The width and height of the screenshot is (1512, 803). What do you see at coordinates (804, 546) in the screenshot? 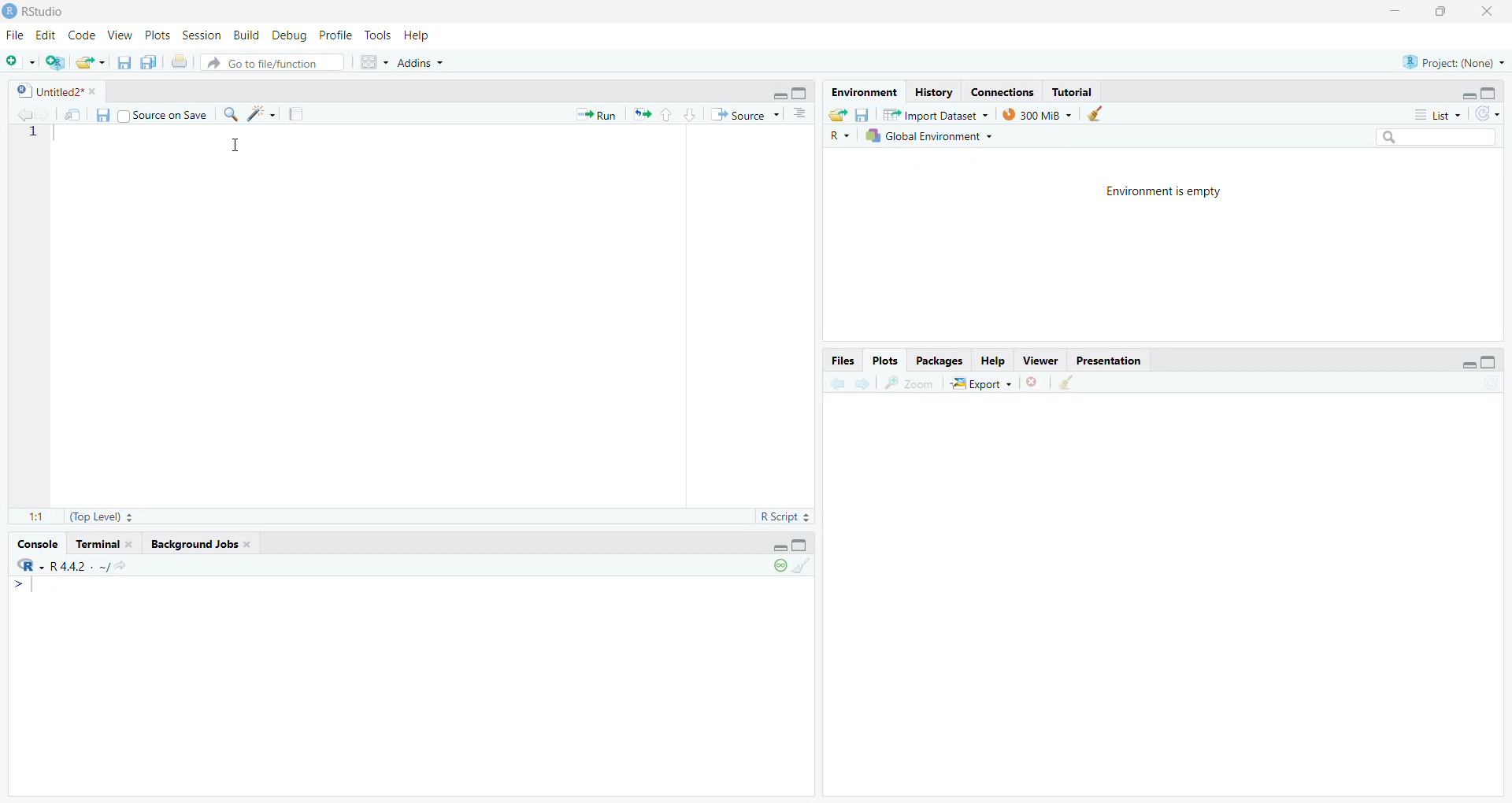
I see `hide console` at bounding box center [804, 546].